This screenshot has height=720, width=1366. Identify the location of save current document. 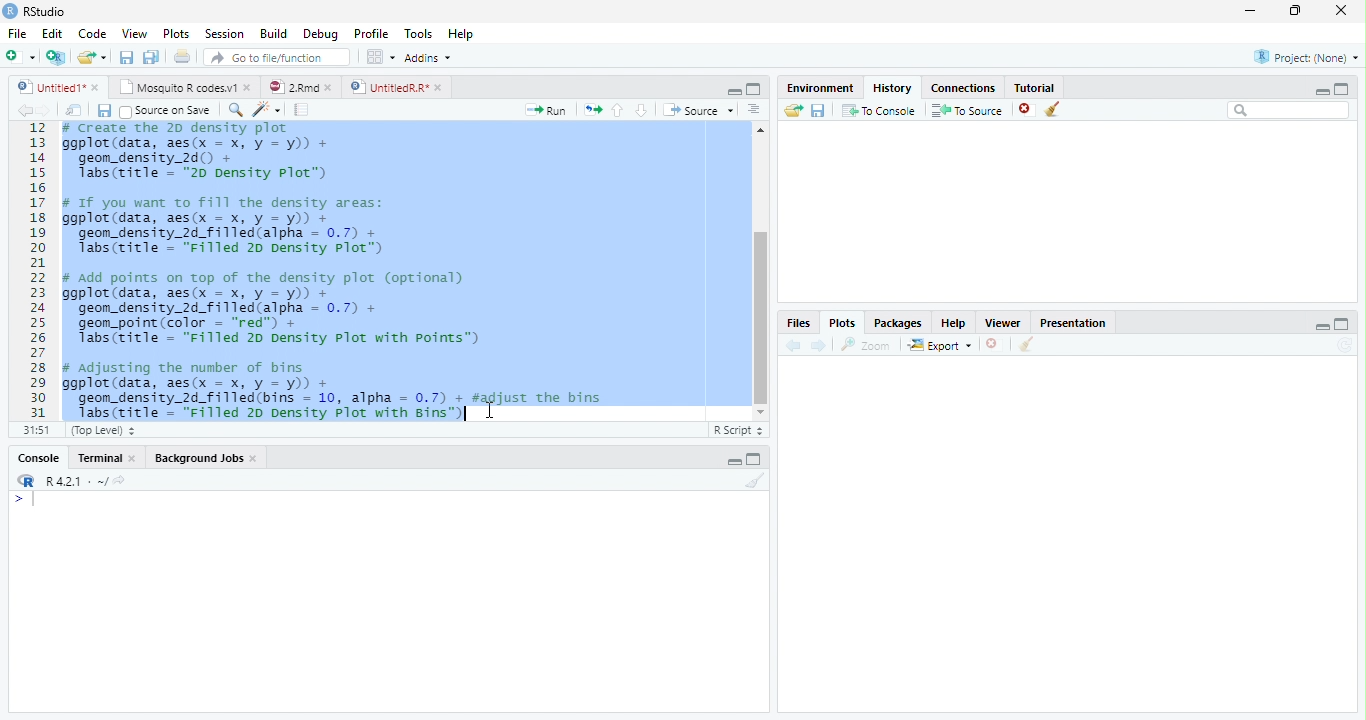
(125, 57).